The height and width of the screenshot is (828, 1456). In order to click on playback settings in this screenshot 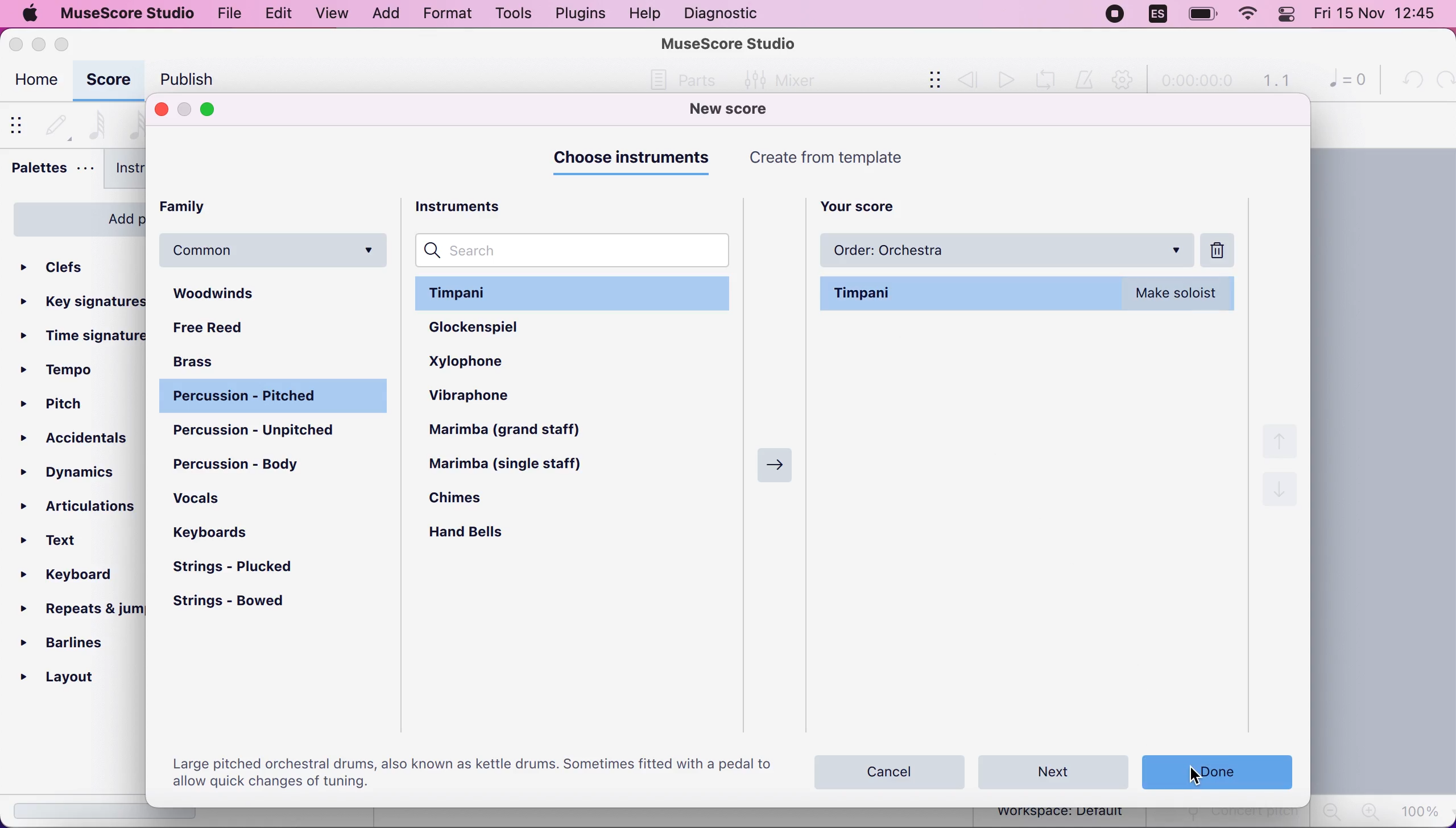, I will do `click(1126, 81)`.